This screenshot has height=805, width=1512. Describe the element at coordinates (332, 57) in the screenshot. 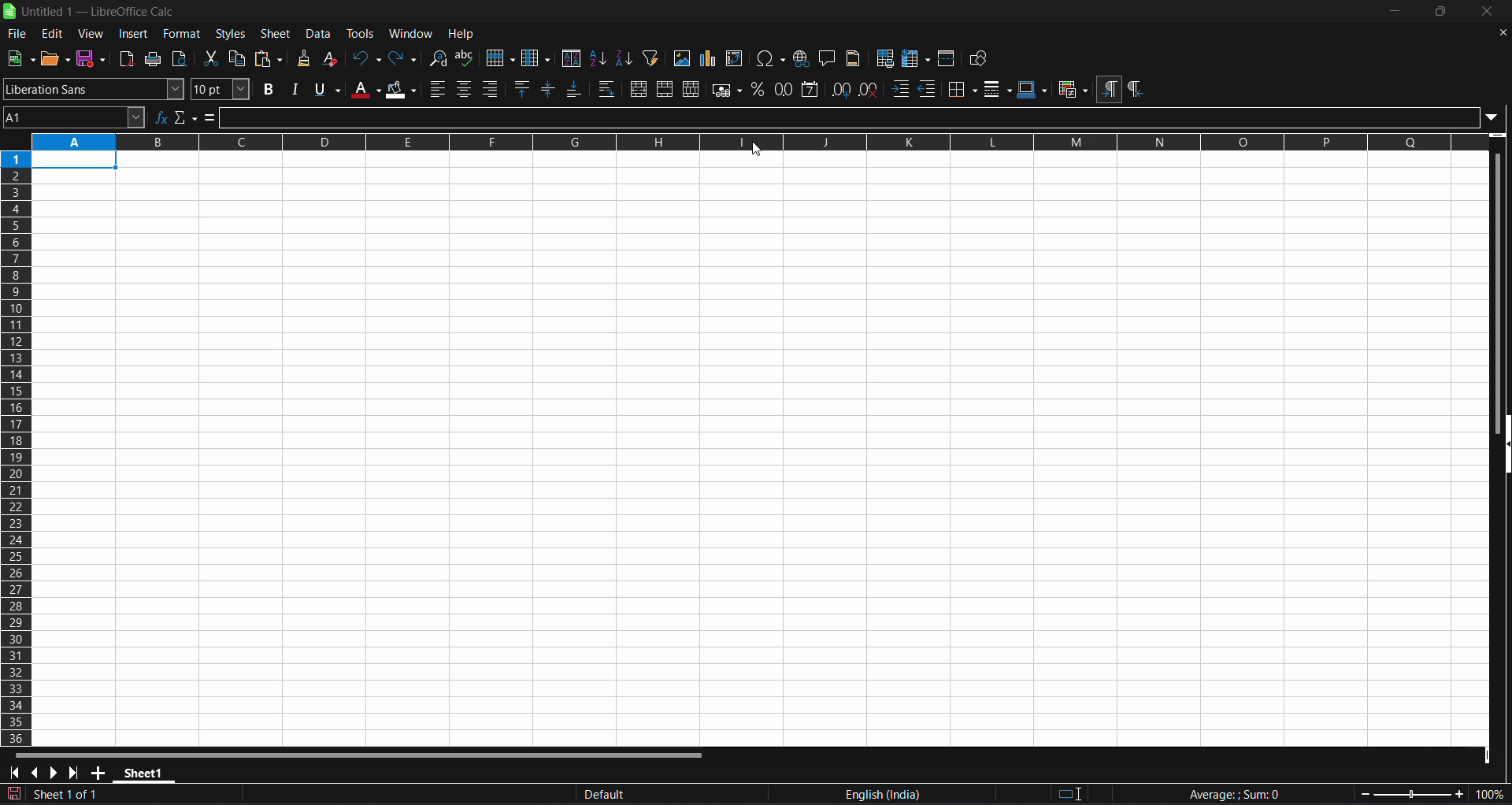

I see `clear direct formatting` at that location.